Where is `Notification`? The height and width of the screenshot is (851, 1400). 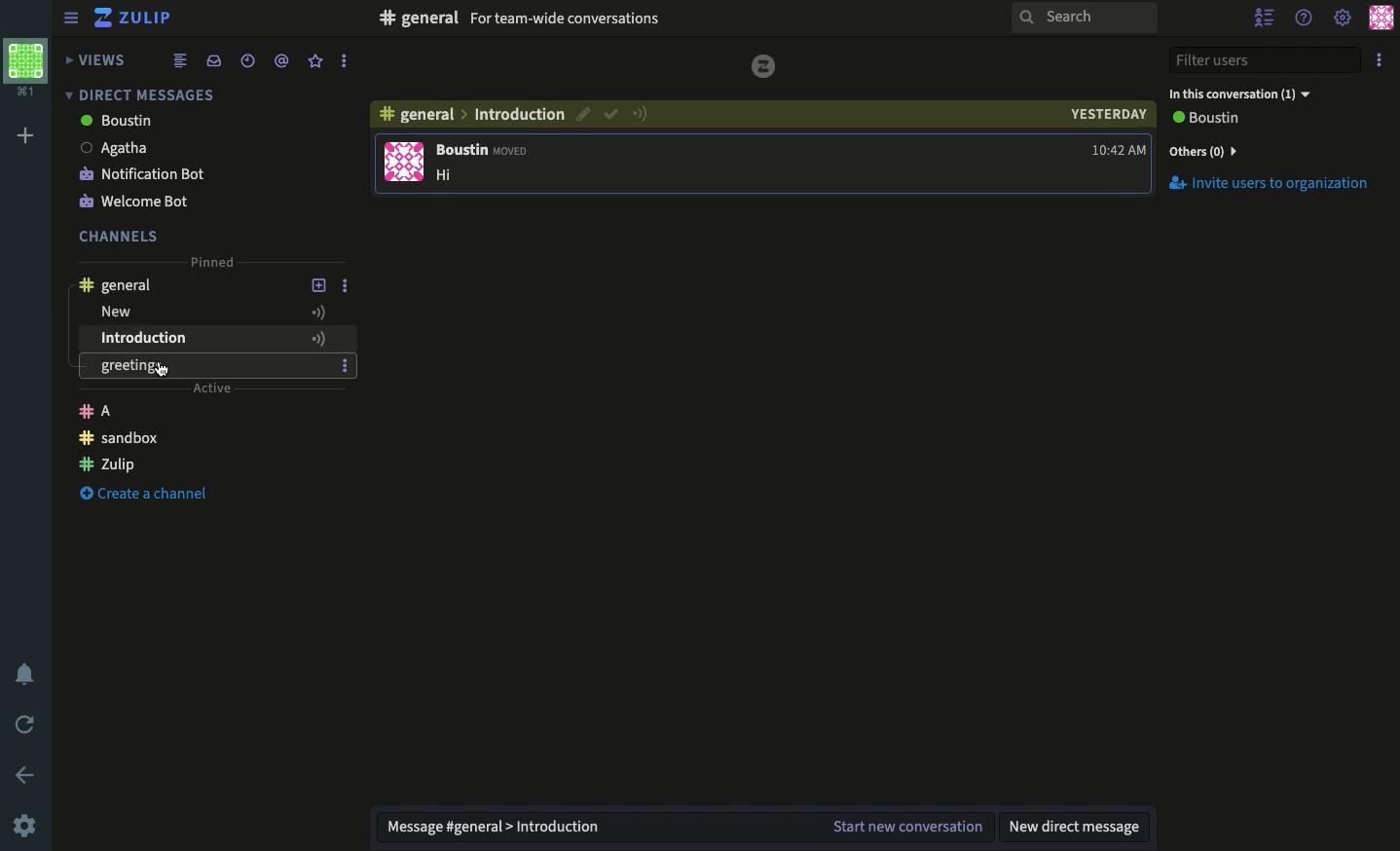 Notification is located at coordinates (27, 677).